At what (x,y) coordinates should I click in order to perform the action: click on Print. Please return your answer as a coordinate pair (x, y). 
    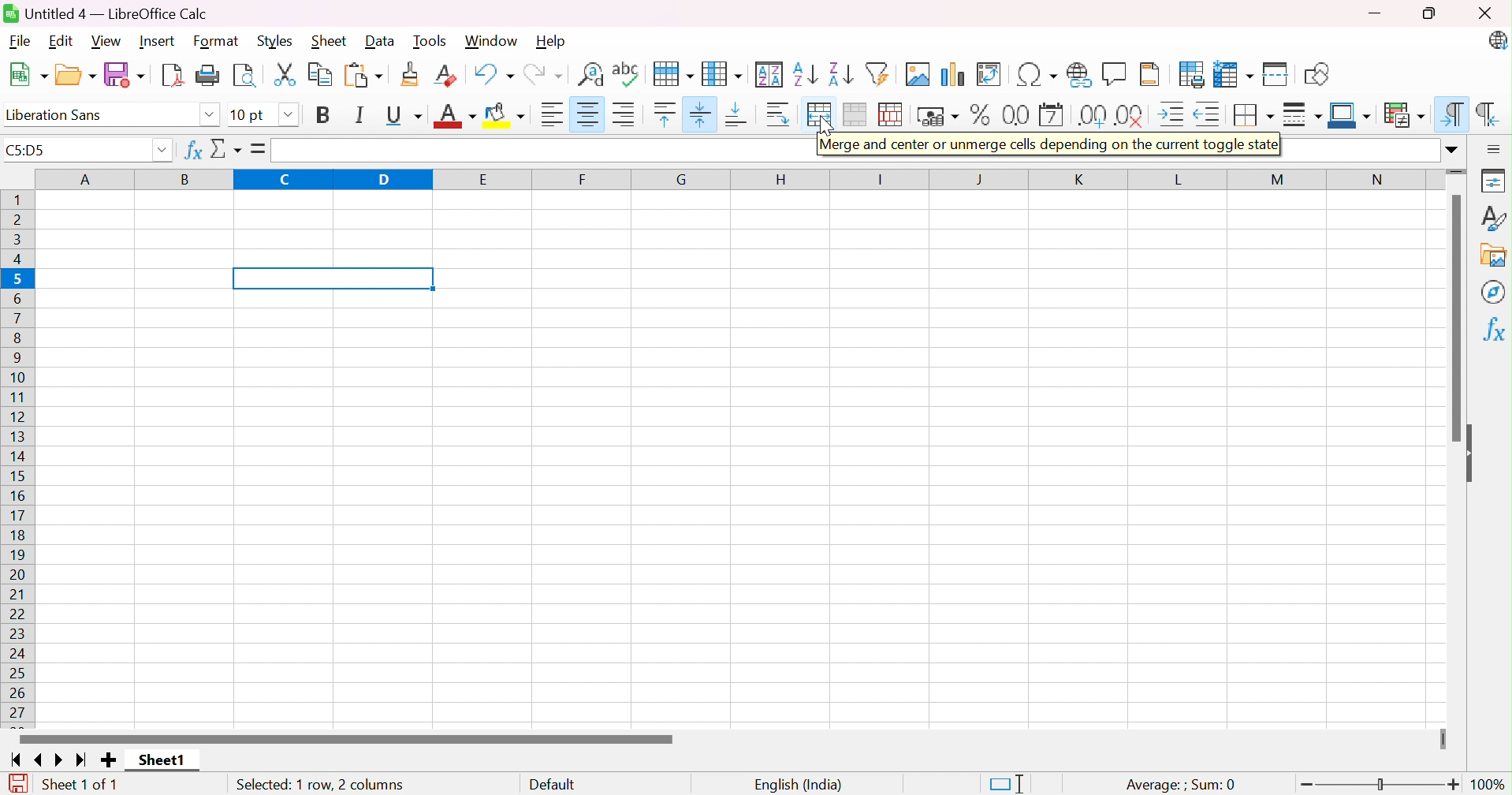
    Looking at the image, I should click on (210, 74).